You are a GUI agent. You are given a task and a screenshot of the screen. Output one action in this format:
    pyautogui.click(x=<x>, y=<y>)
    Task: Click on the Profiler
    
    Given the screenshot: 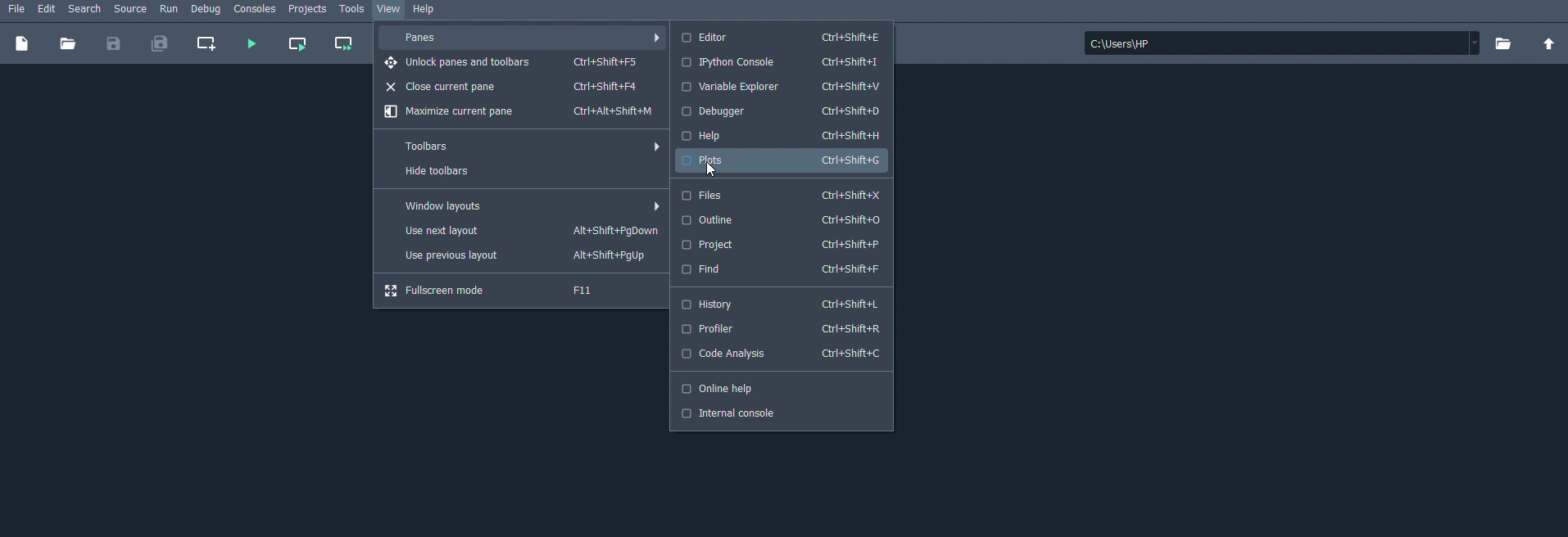 What is the action you would take?
    pyautogui.click(x=777, y=332)
    